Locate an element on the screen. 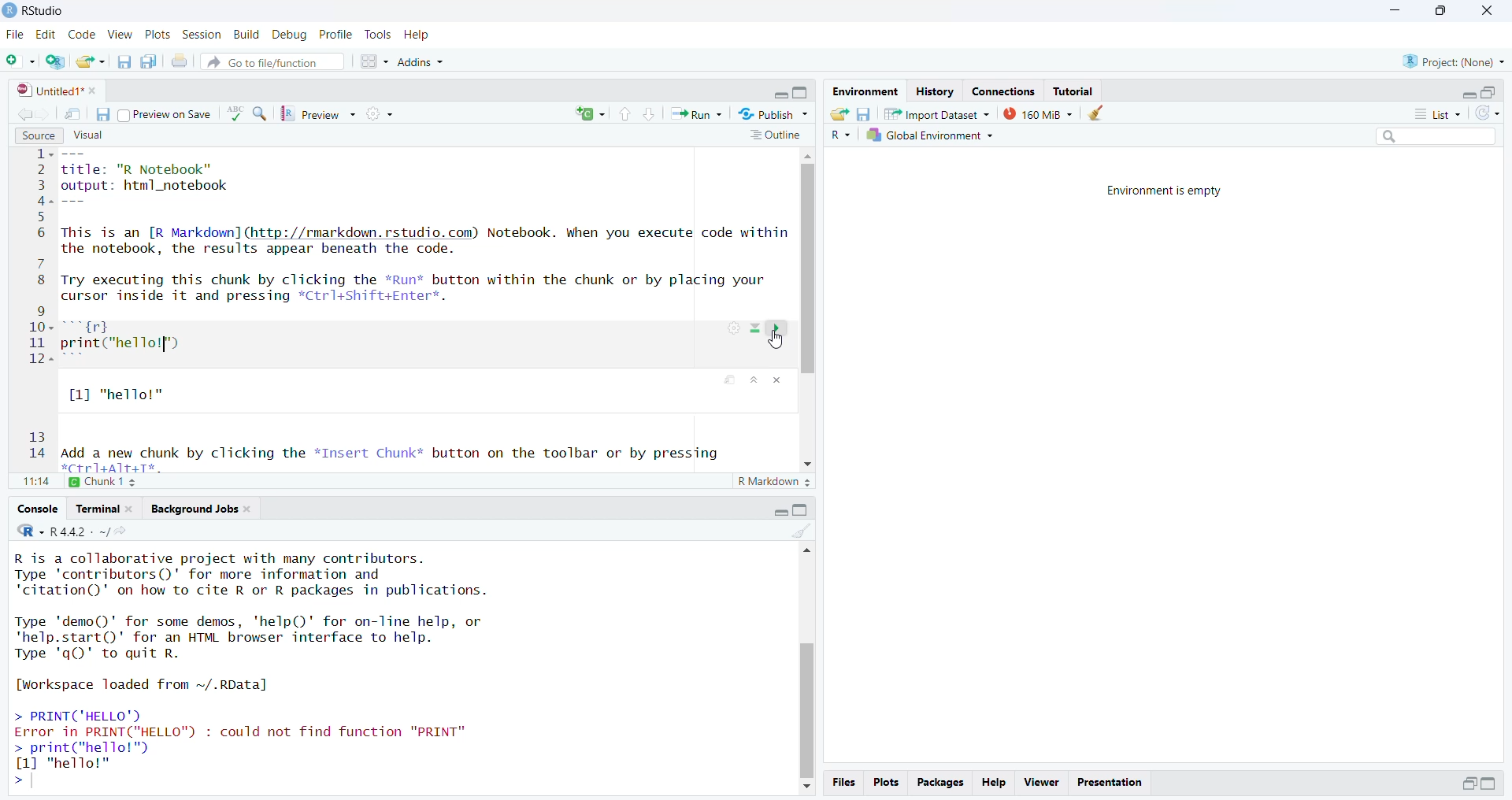 This screenshot has height=800, width=1512. cursor is located at coordinates (776, 343).